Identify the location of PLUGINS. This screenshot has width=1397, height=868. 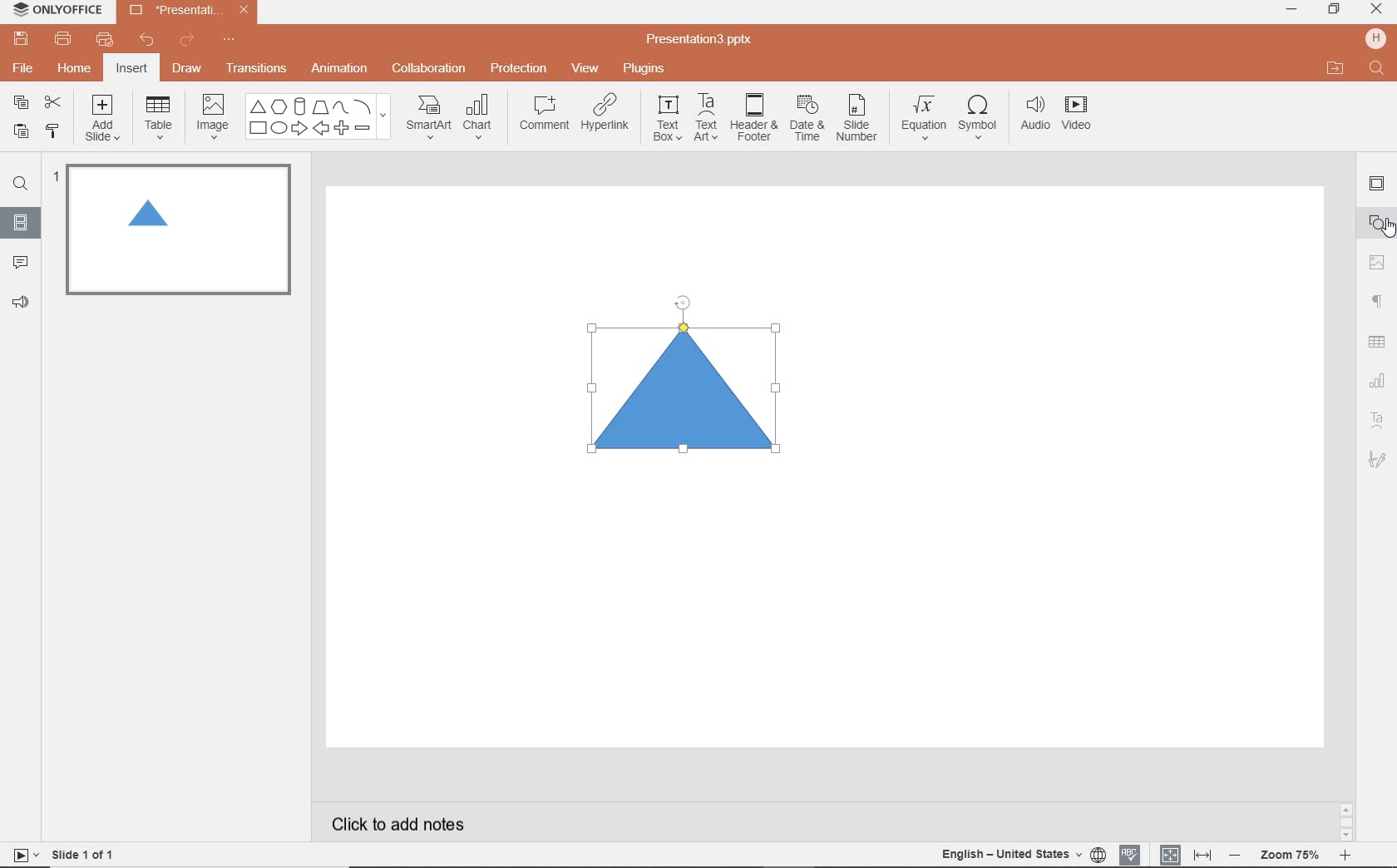
(646, 67).